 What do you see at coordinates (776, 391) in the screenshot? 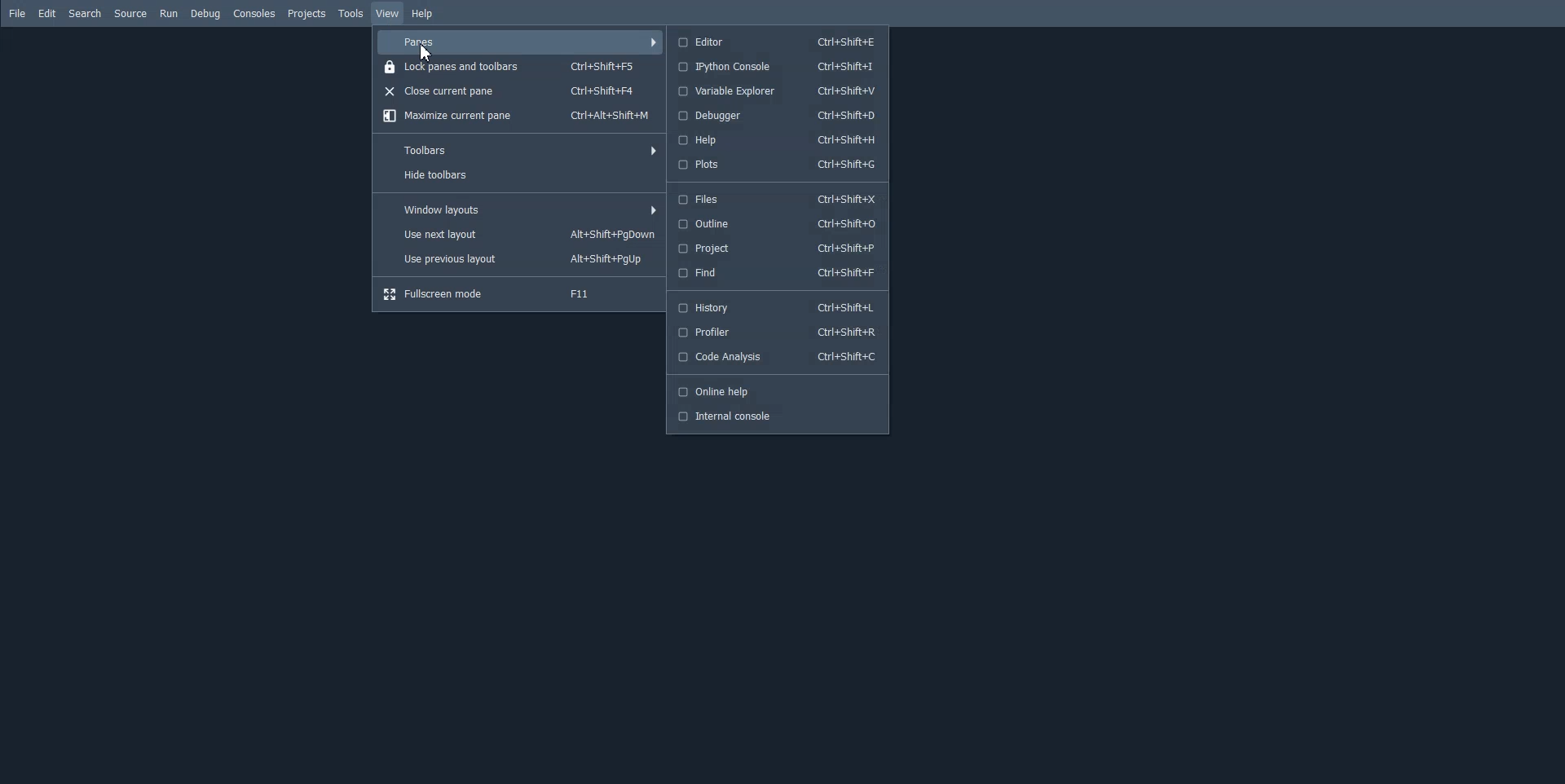
I see `Online help` at bounding box center [776, 391].